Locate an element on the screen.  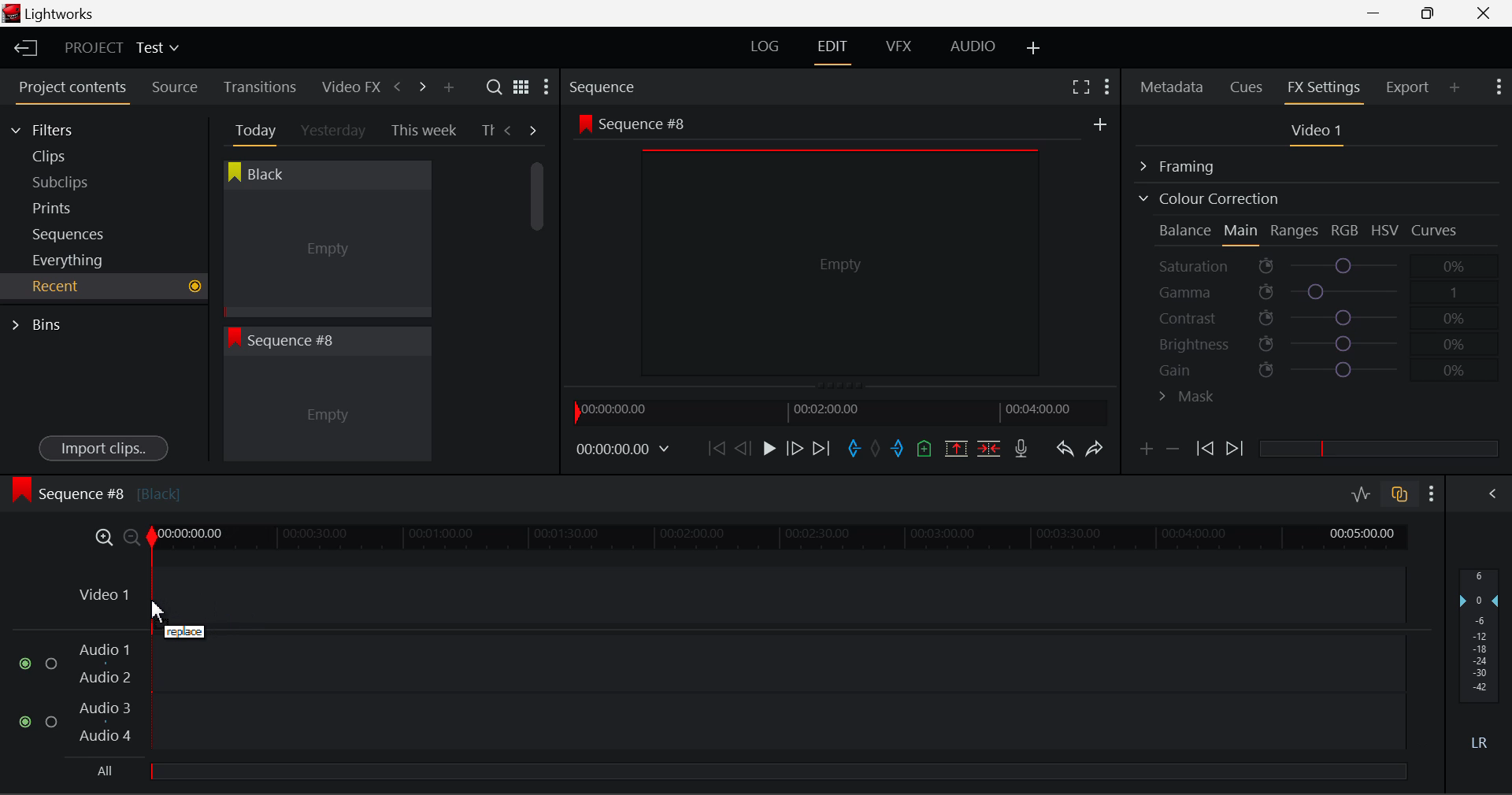
Gamma is located at coordinates (1320, 292).